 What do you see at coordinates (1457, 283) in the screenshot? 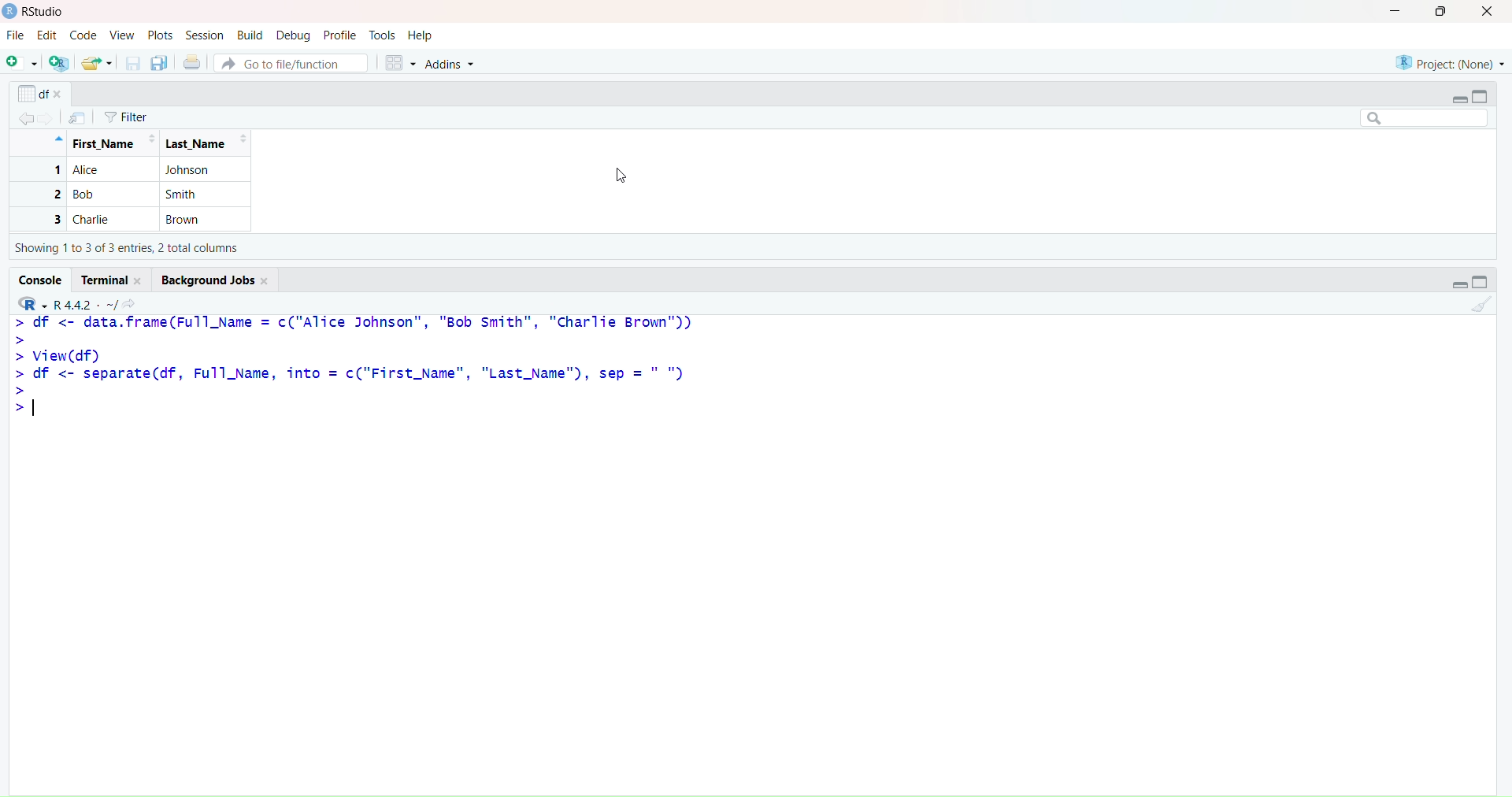
I see `Minimize` at bounding box center [1457, 283].